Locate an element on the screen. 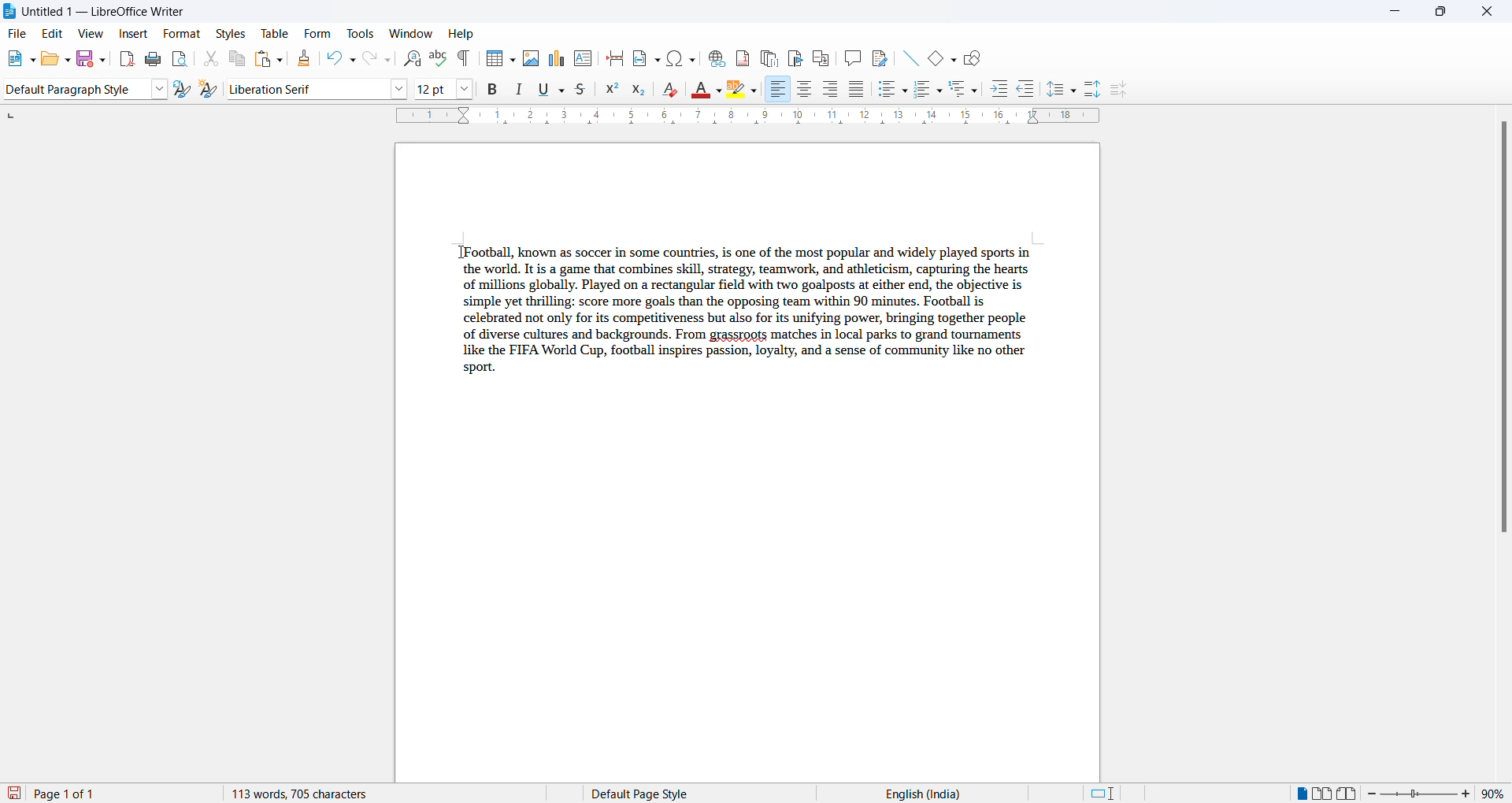  save is located at coordinates (82, 57).